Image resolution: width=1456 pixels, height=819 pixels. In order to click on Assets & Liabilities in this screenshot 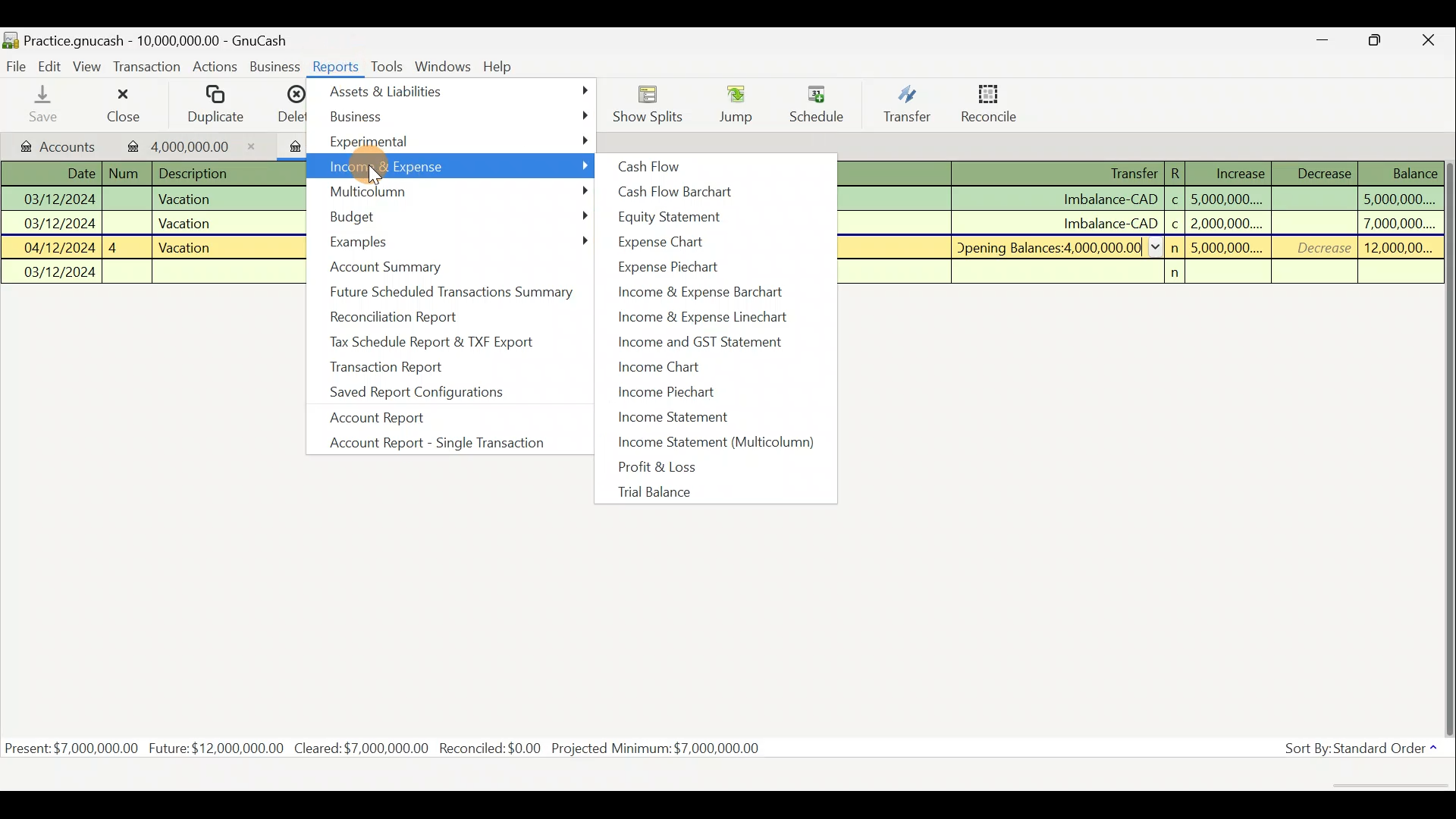, I will do `click(461, 91)`.